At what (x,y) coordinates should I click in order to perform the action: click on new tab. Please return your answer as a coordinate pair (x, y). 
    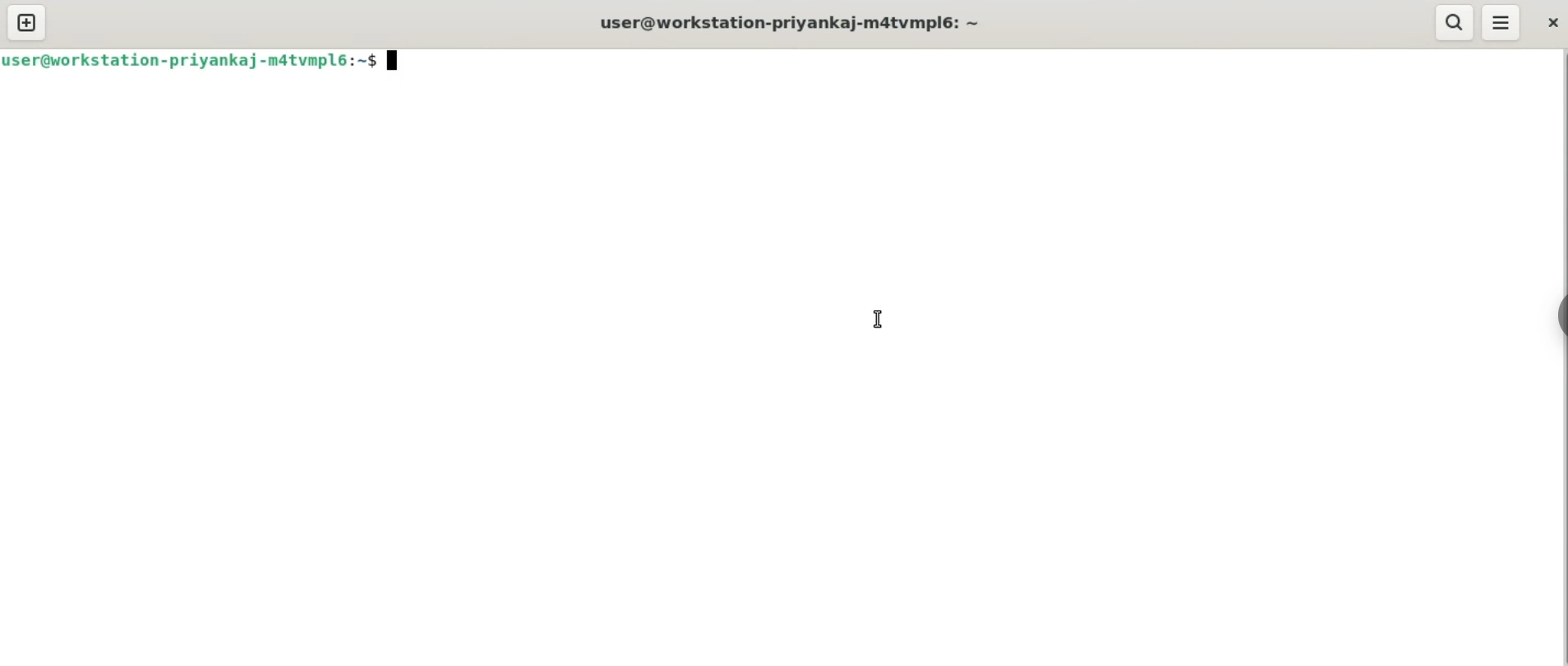
    Looking at the image, I should click on (27, 21).